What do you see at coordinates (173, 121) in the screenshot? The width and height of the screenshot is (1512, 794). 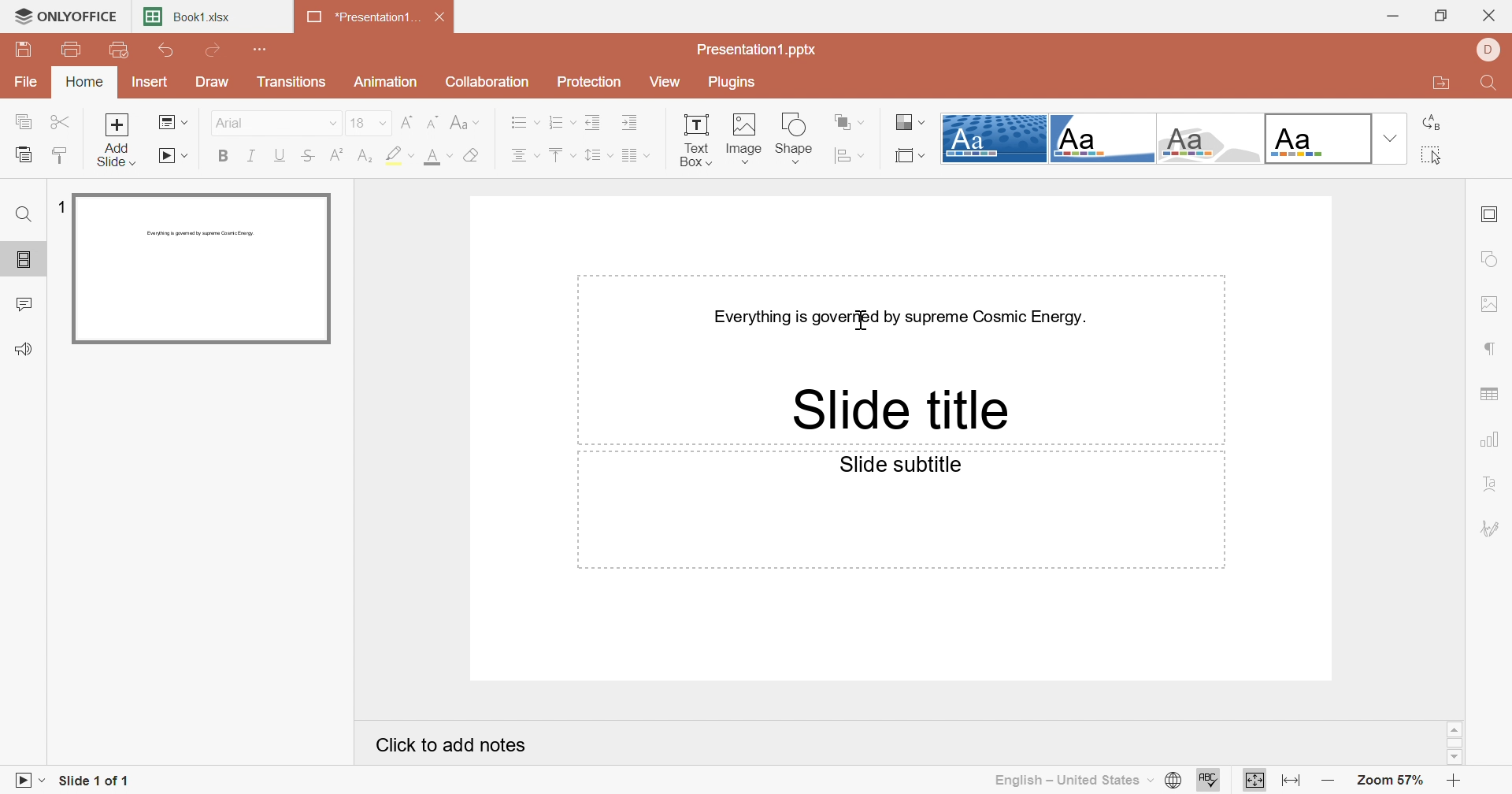 I see `Change slide layout` at bounding box center [173, 121].